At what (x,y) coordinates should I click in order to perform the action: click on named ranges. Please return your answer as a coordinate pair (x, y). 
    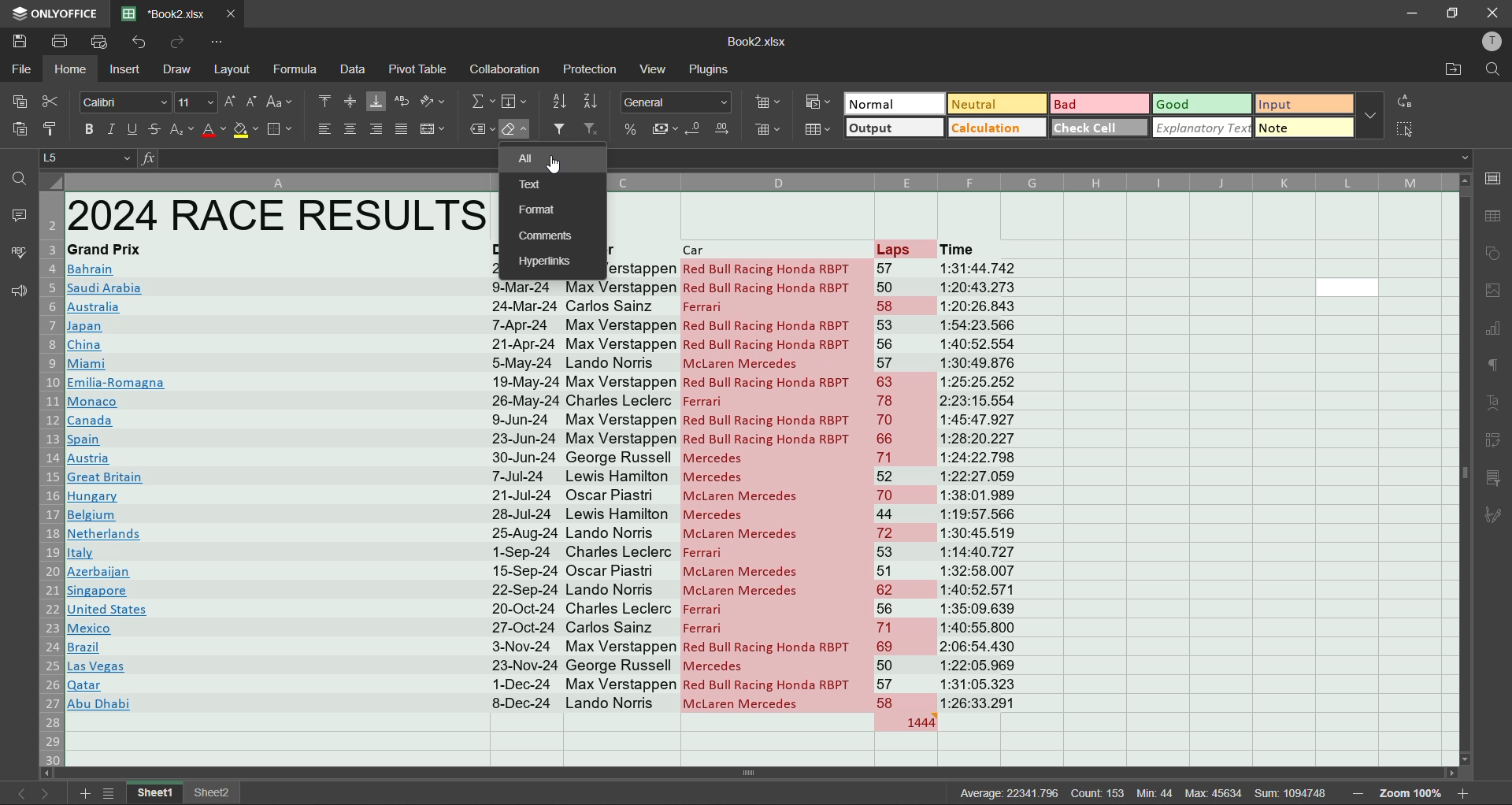
    Looking at the image, I should click on (481, 132).